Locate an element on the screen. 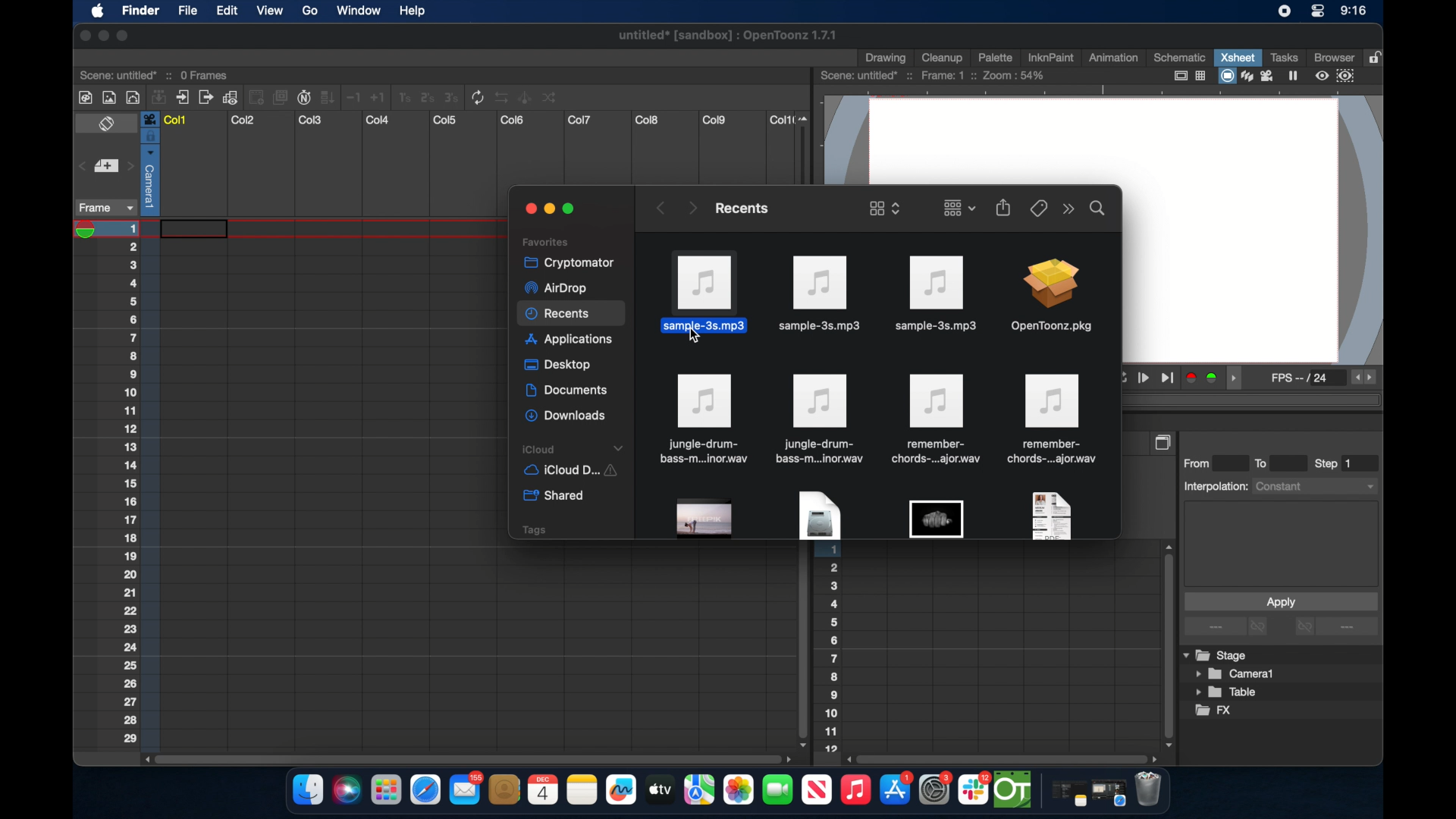 The width and height of the screenshot is (1456, 819). drawing is located at coordinates (887, 58).